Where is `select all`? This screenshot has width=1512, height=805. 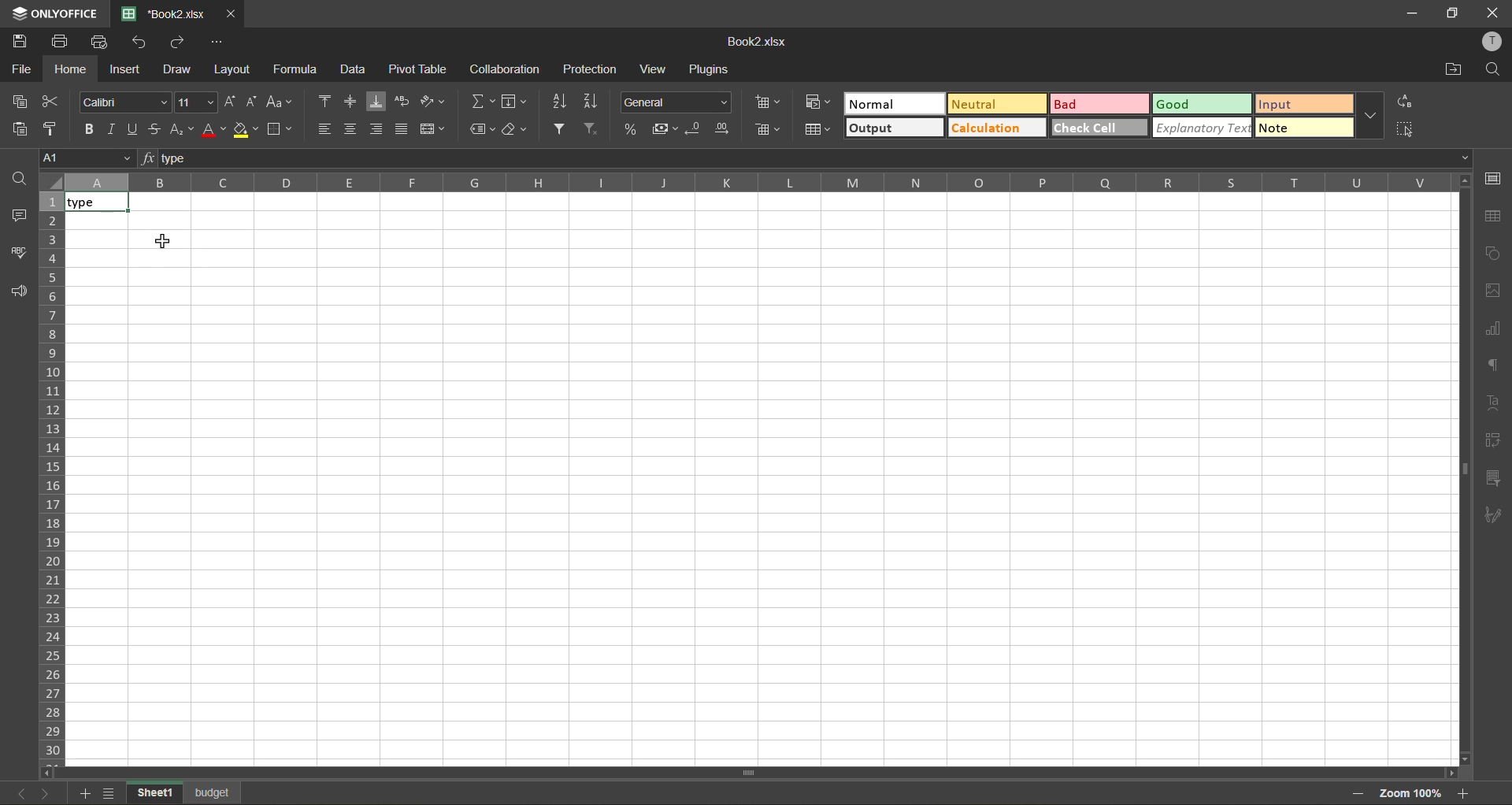
select all is located at coordinates (1405, 129).